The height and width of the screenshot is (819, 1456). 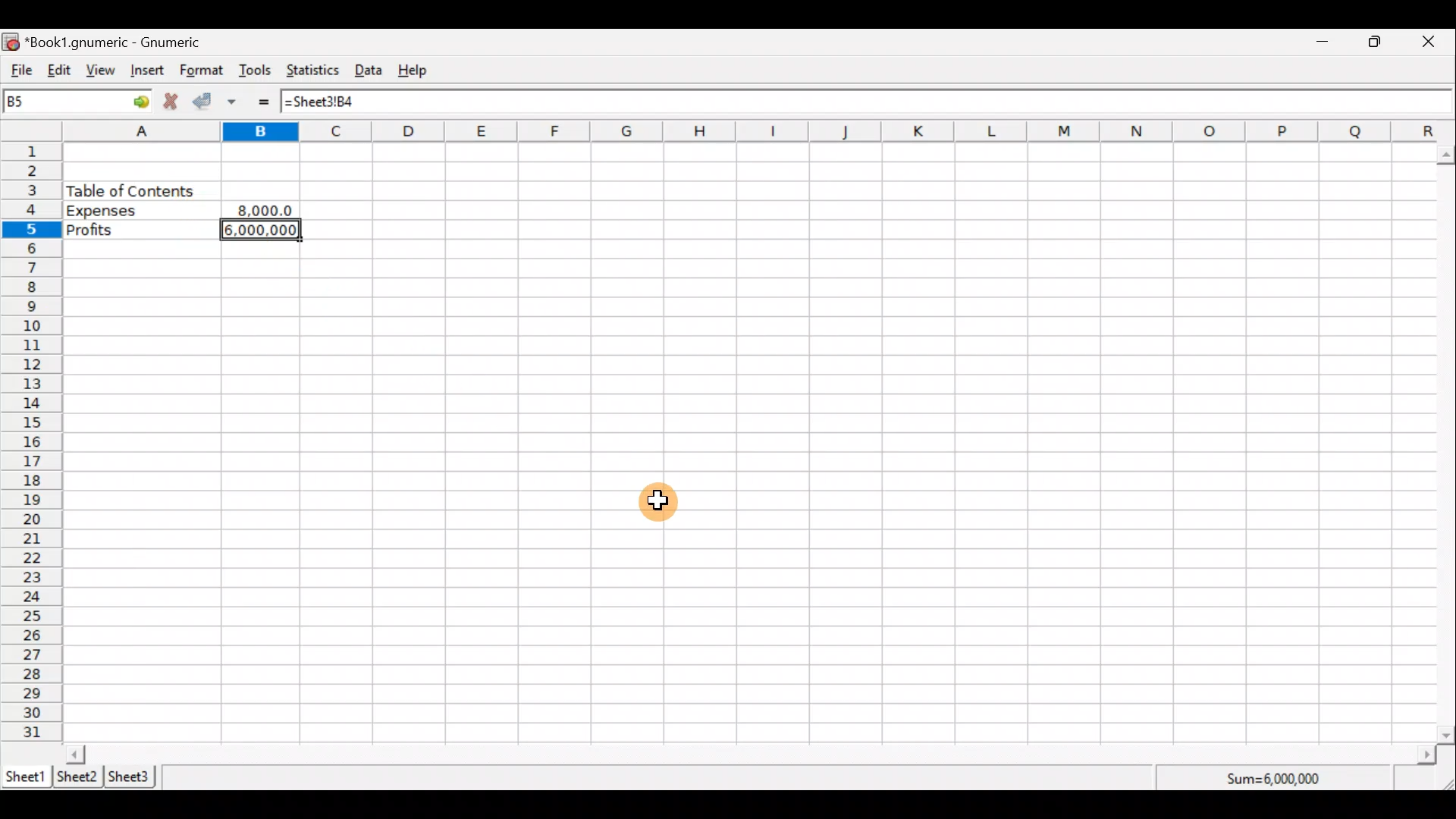 What do you see at coordinates (860, 99) in the screenshot?
I see `Formula bar` at bounding box center [860, 99].